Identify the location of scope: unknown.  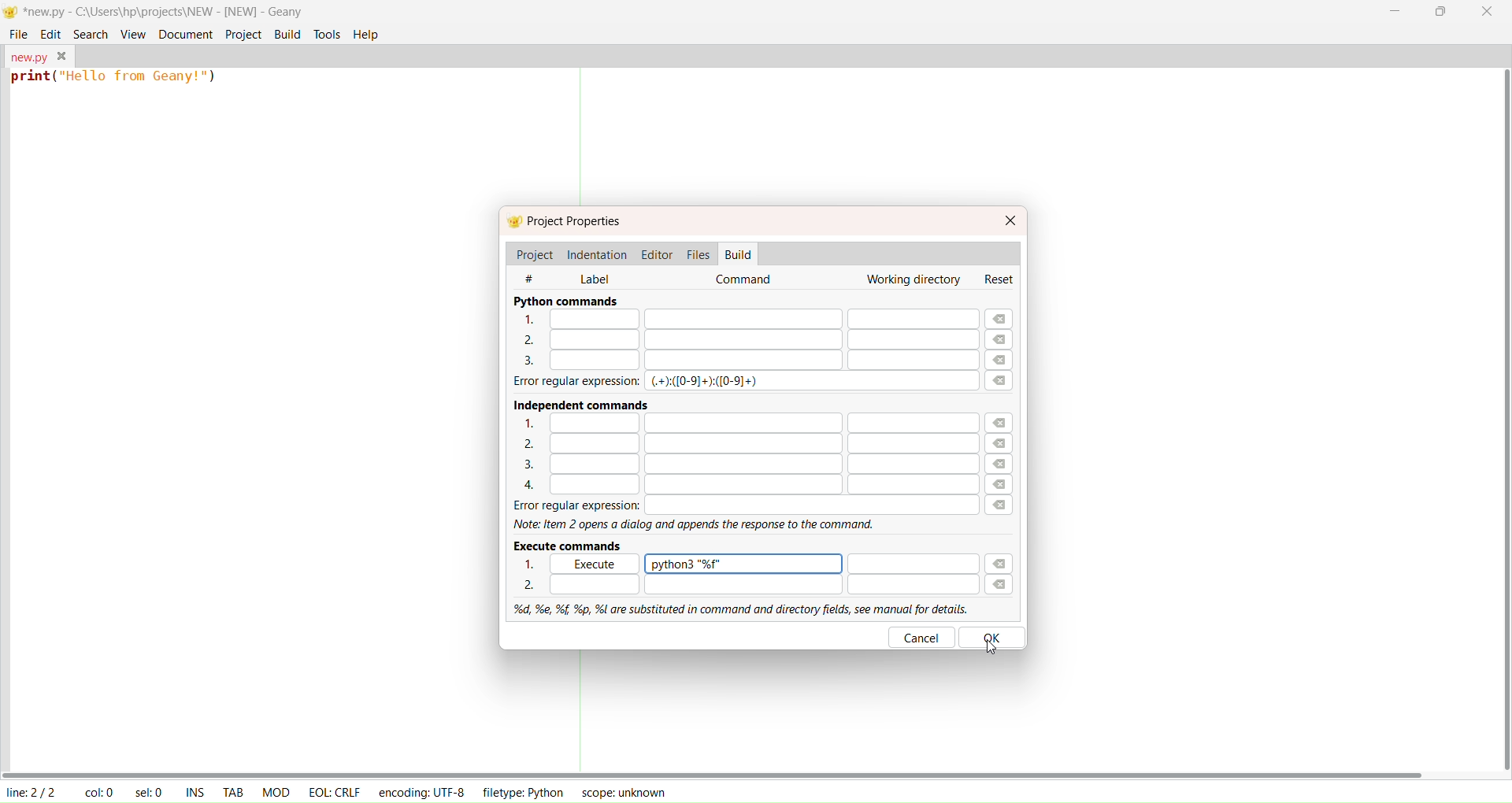
(621, 792).